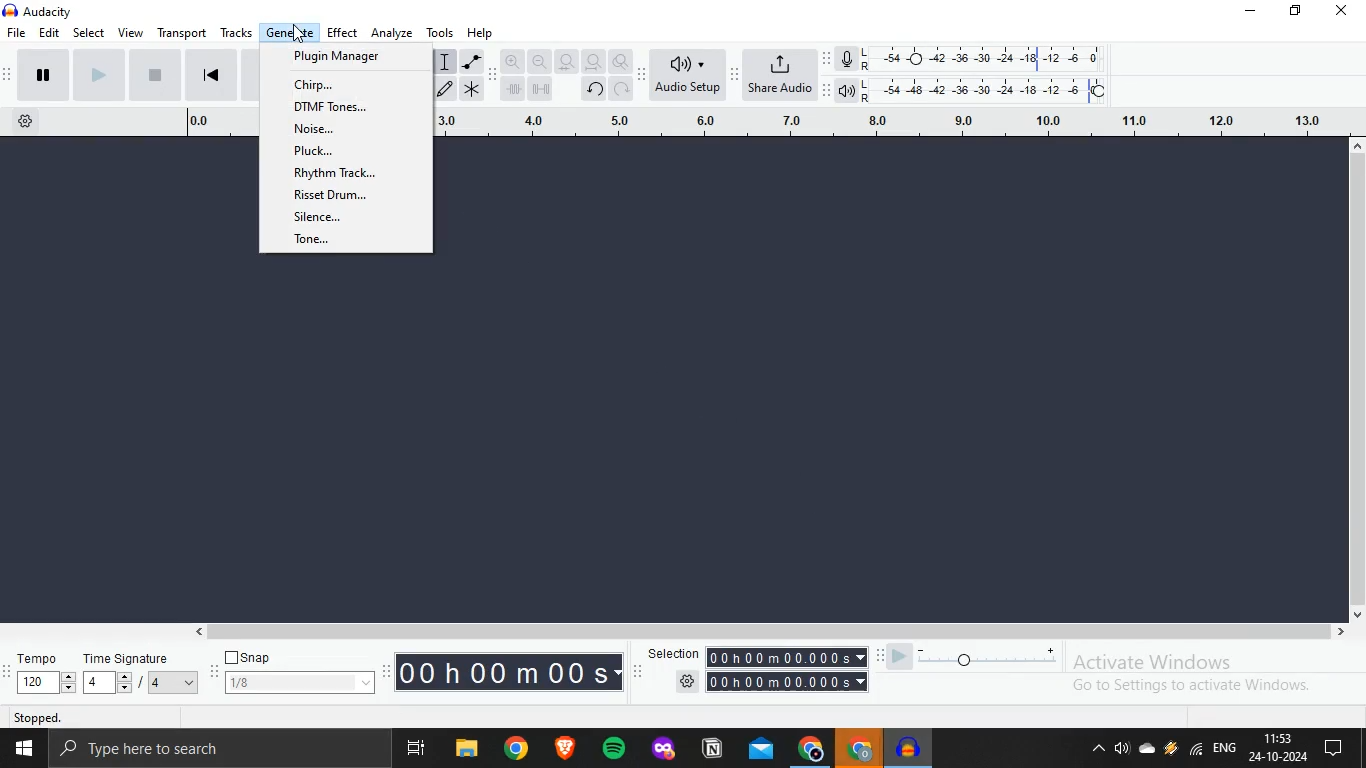  I want to click on 00h 00m 00s, so click(509, 671).